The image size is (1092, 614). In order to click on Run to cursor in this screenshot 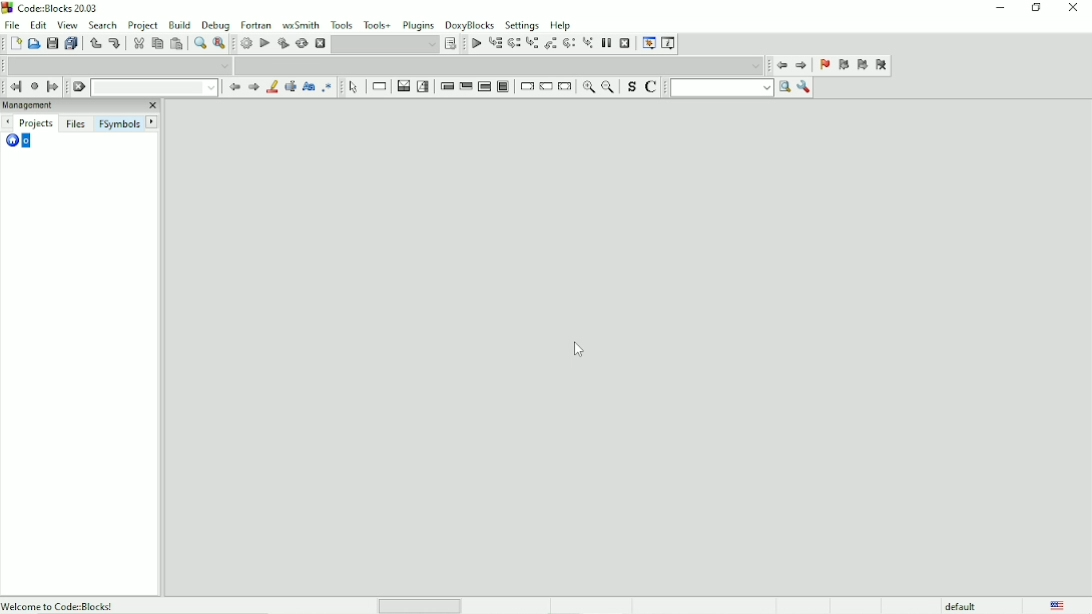, I will do `click(496, 45)`.